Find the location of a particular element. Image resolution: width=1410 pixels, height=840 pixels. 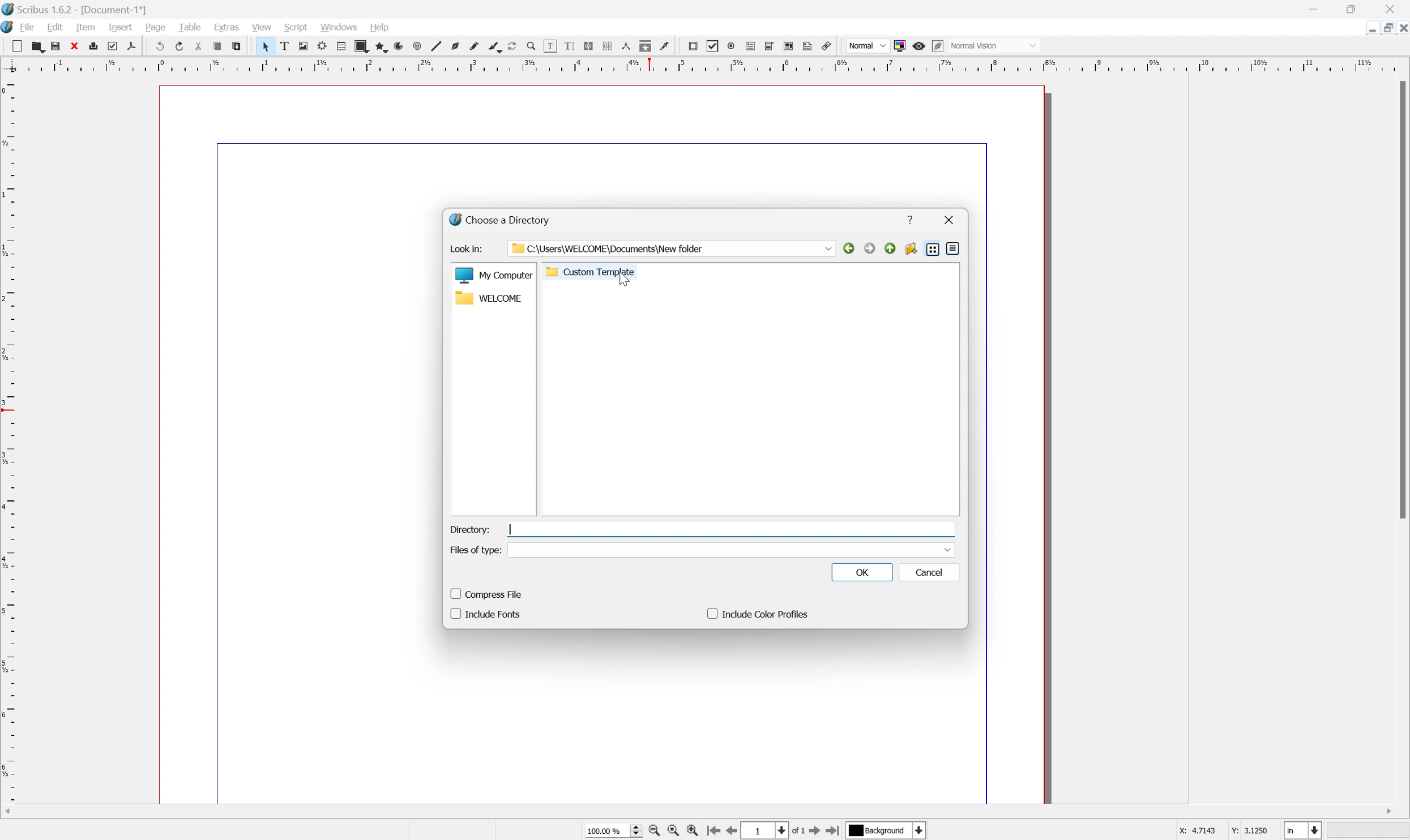

render frame is located at coordinates (322, 46).